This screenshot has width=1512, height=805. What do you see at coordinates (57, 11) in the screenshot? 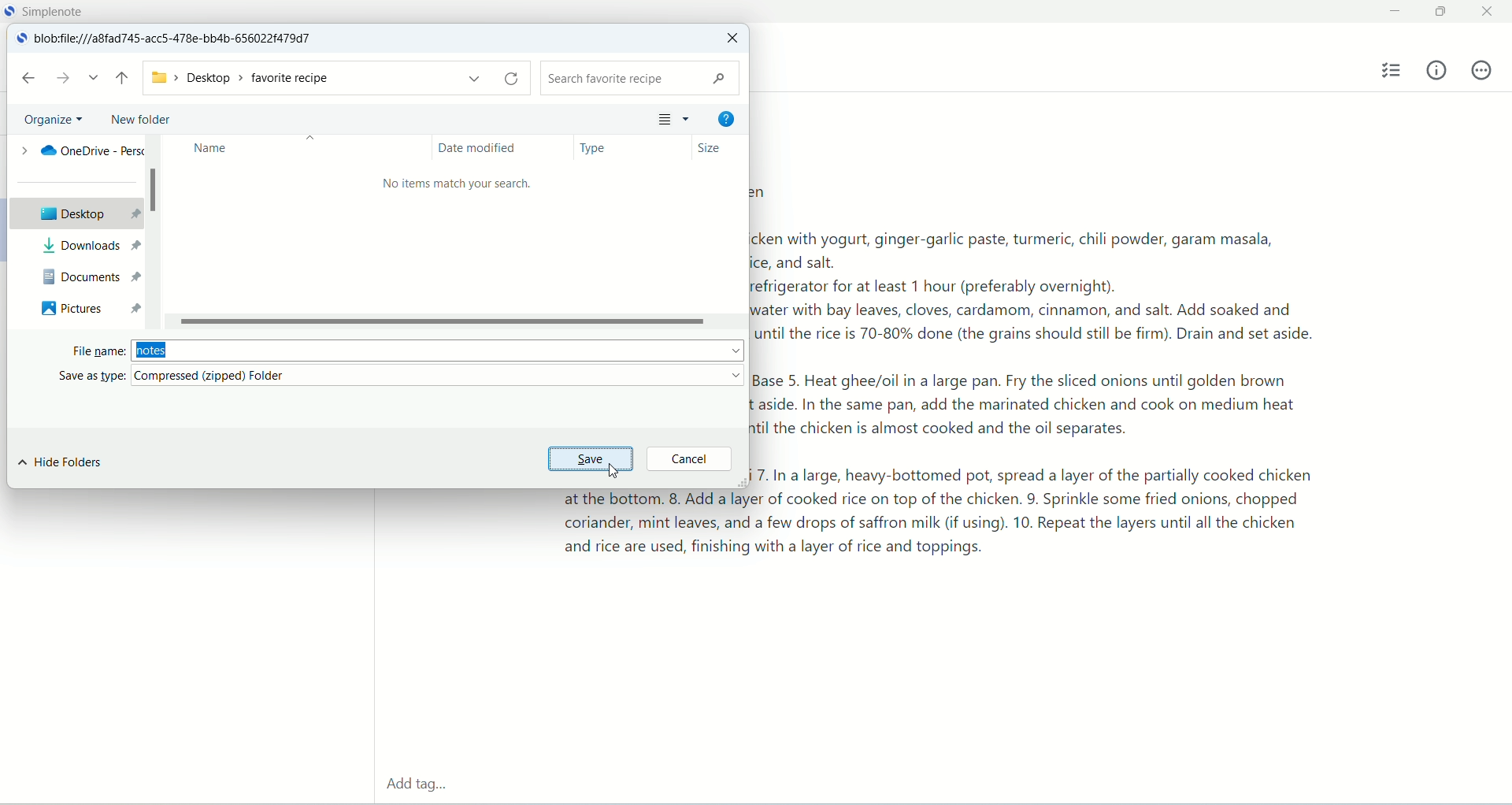
I see `simplenote` at bounding box center [57, 11].